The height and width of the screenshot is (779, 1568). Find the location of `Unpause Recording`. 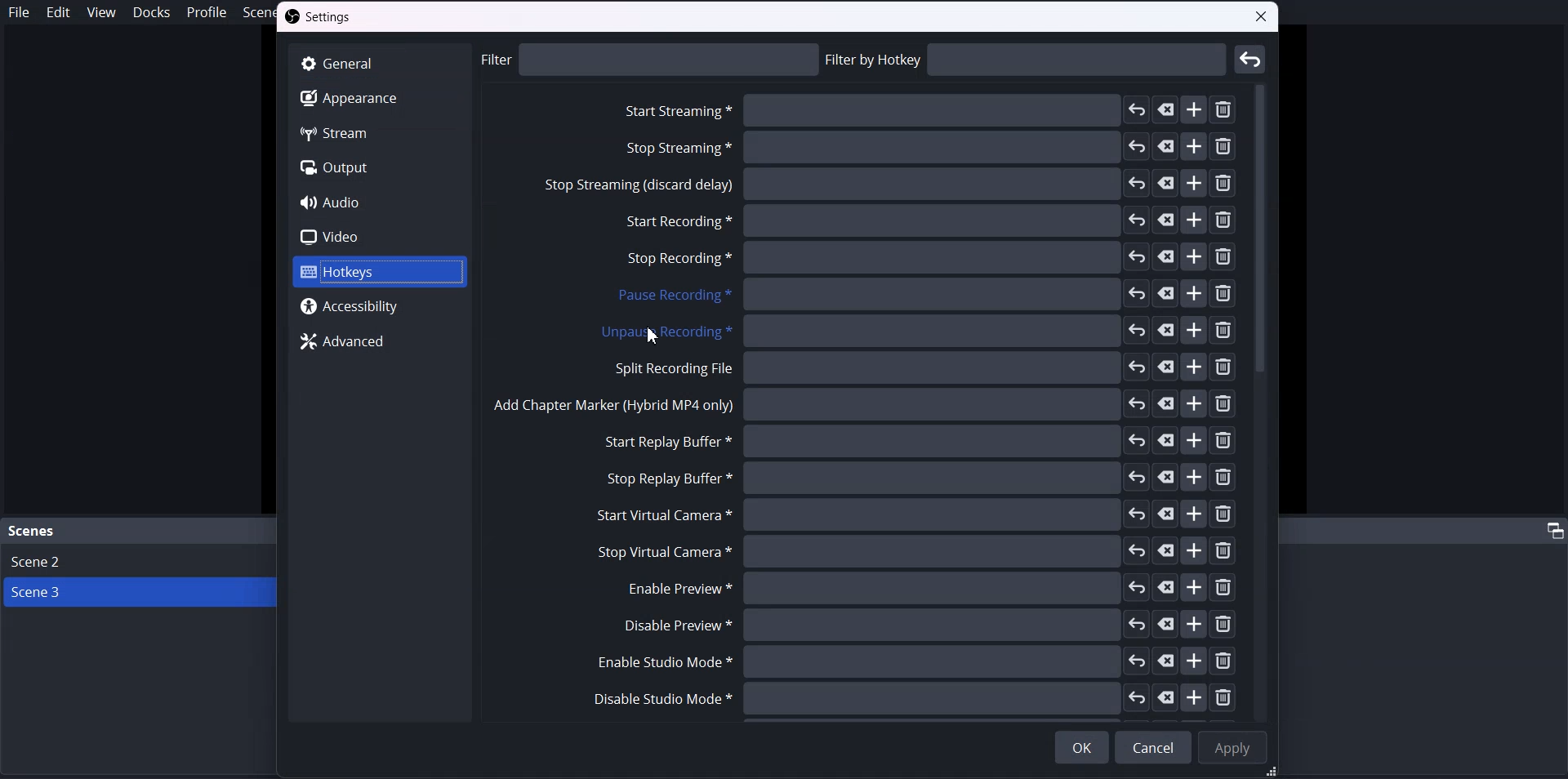

Unpause Recording is located at coordinates (657, 335).